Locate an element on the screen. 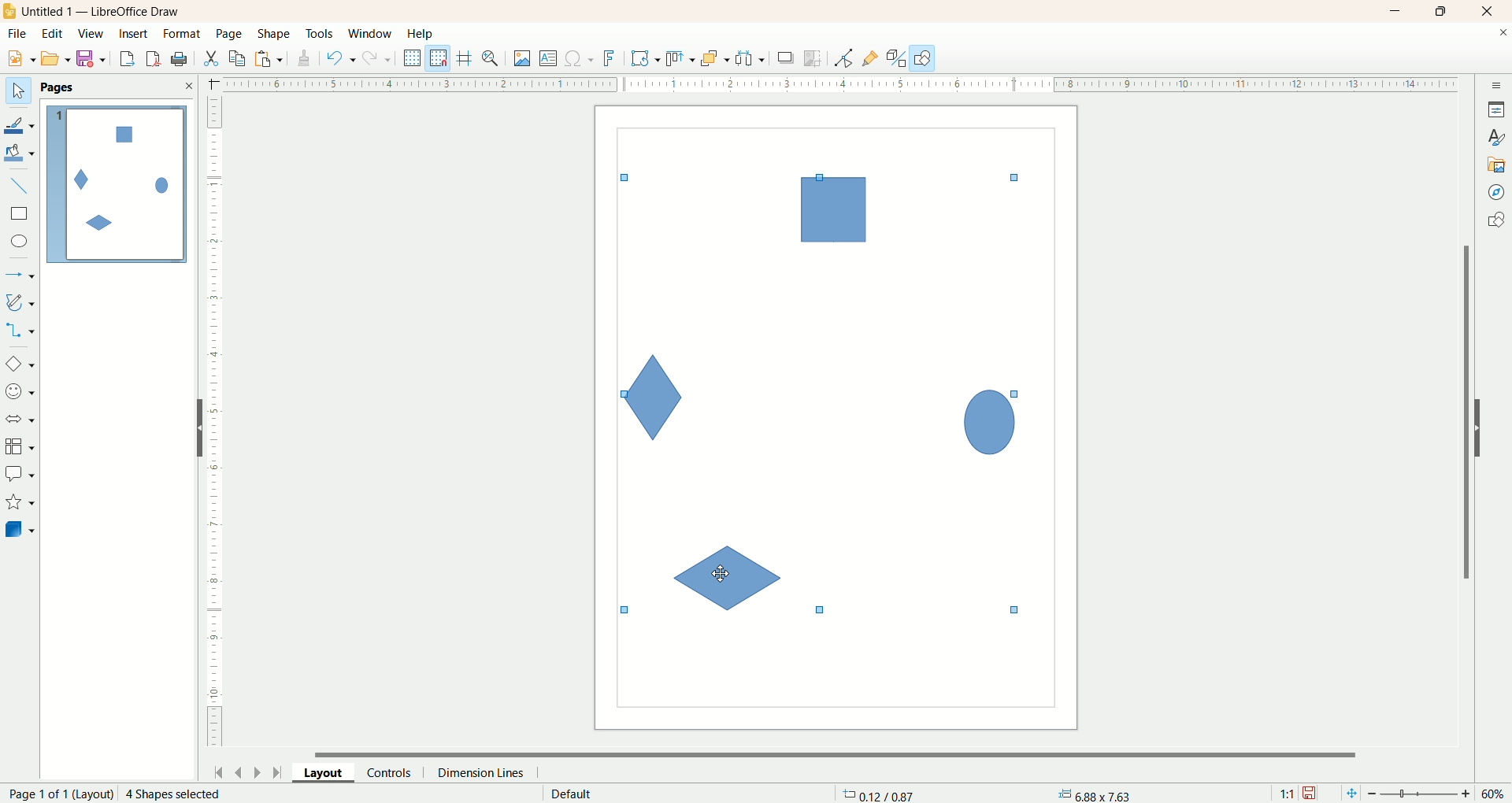 This screenshot has height=803, width=1512. save is located at coordinates (94, 59).